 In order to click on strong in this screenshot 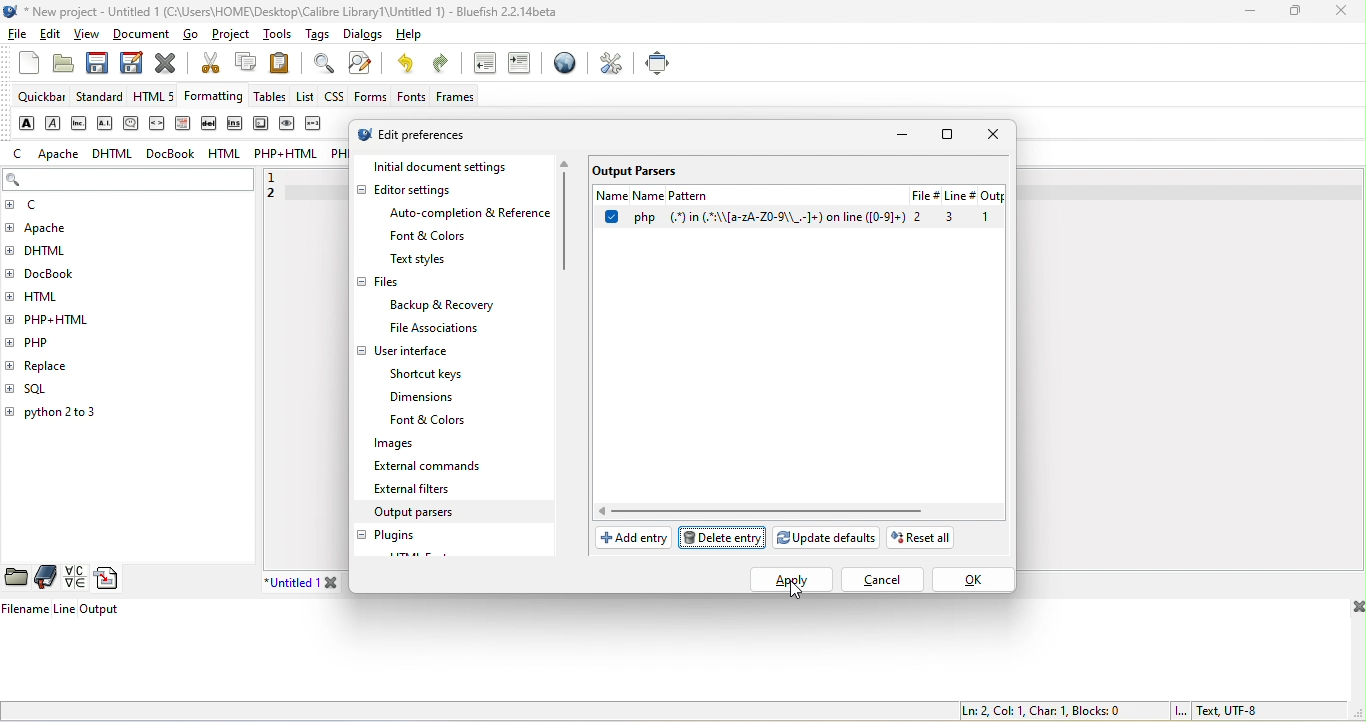, I will do `click(24, 122)`.